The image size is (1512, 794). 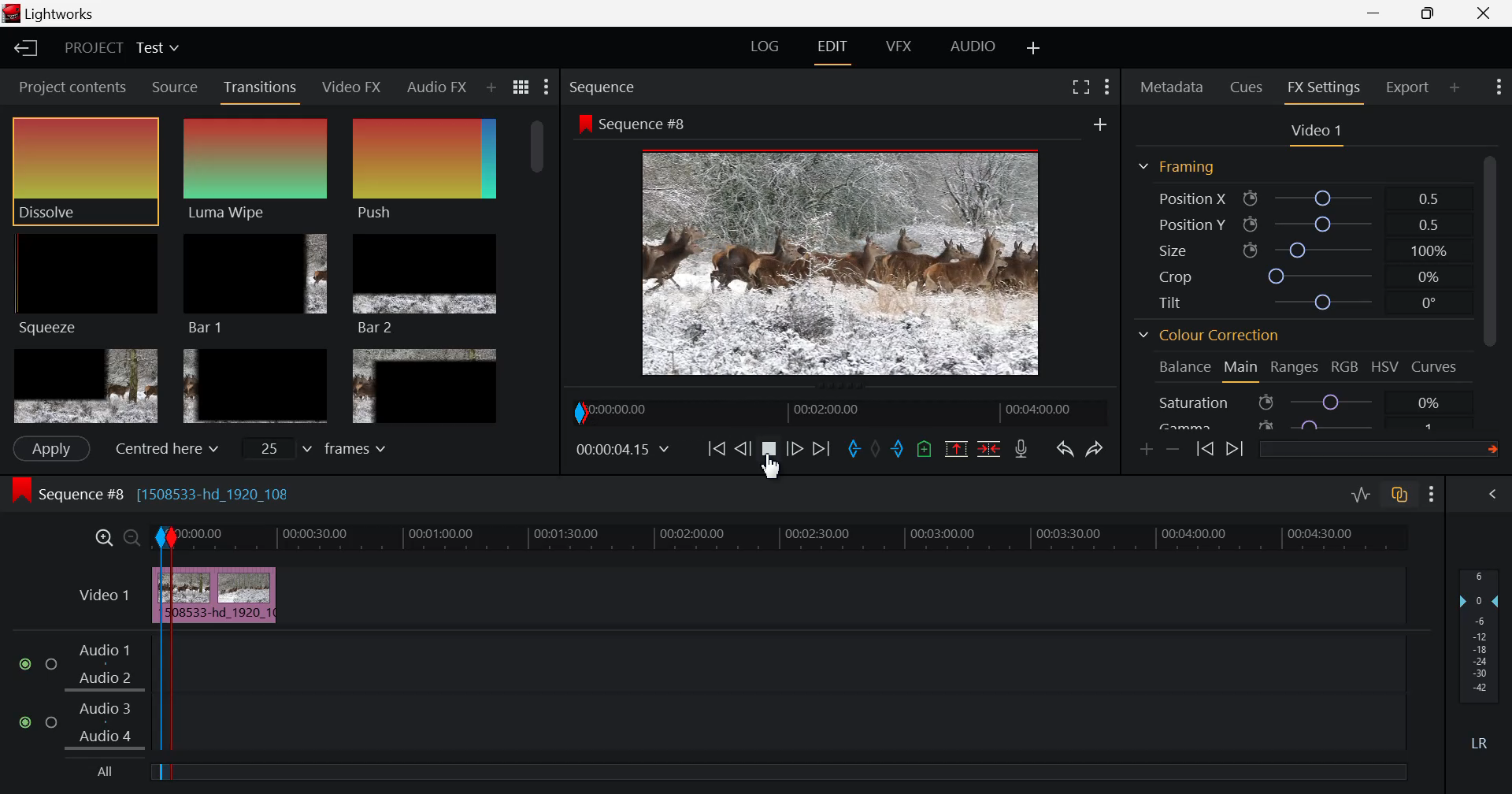 I want to click on Source, so click(x=173, y=86).